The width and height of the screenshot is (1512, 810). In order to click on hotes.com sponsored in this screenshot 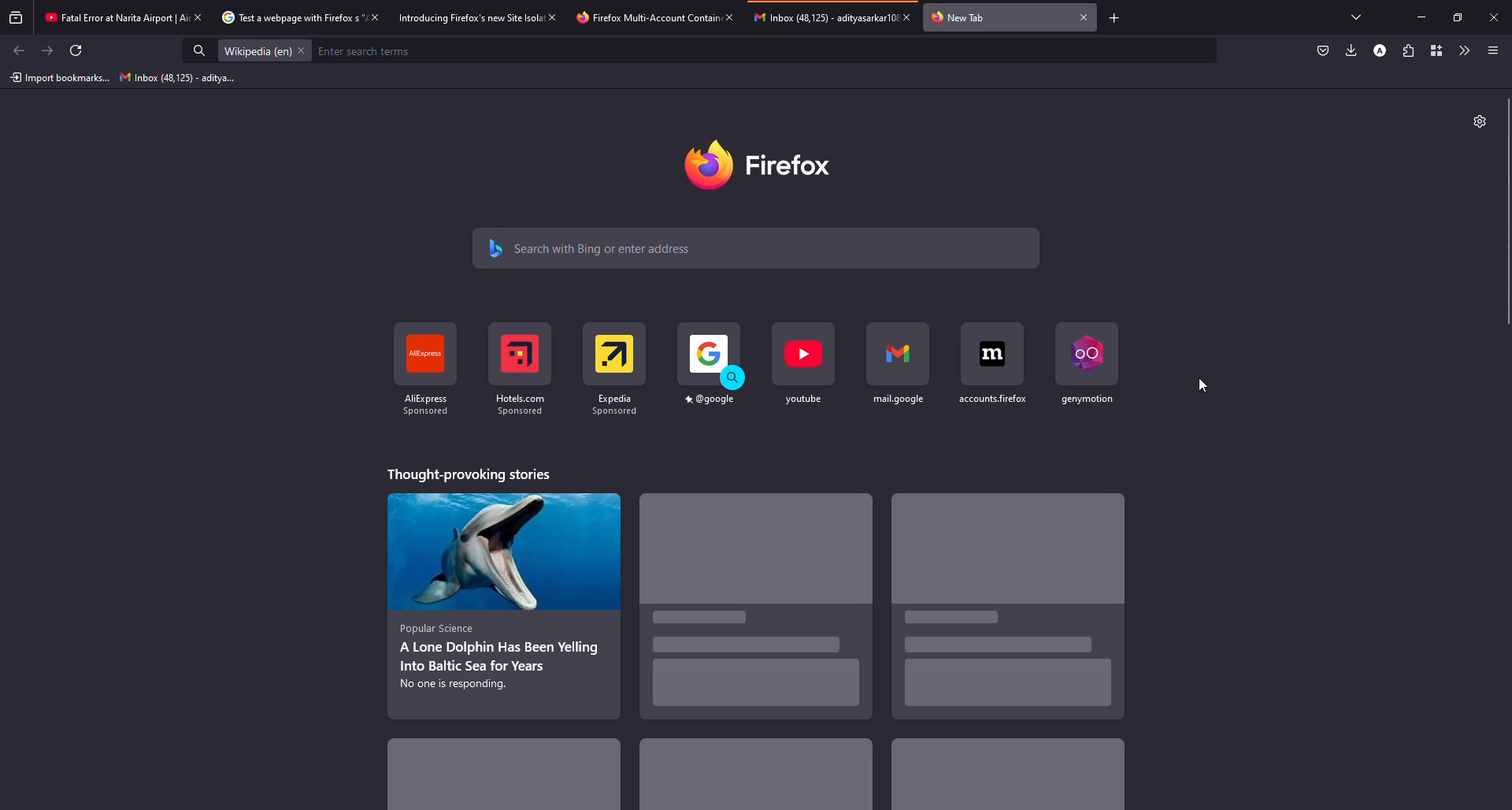, I will do `click(518, 368)`.